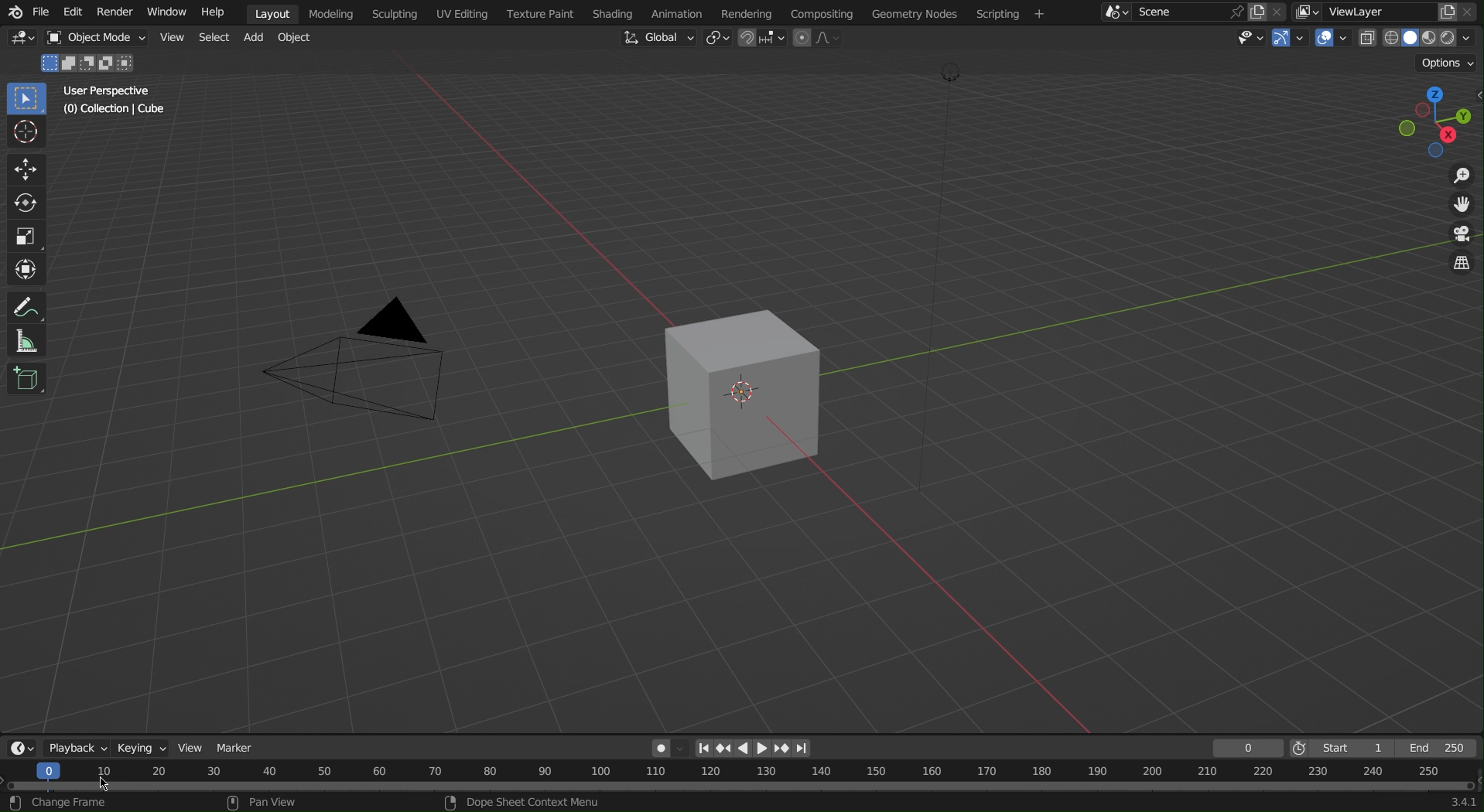  What do you see at coordinates (763, 749) in the screenshot?
I see `Right` at bounding box center [763, 749].